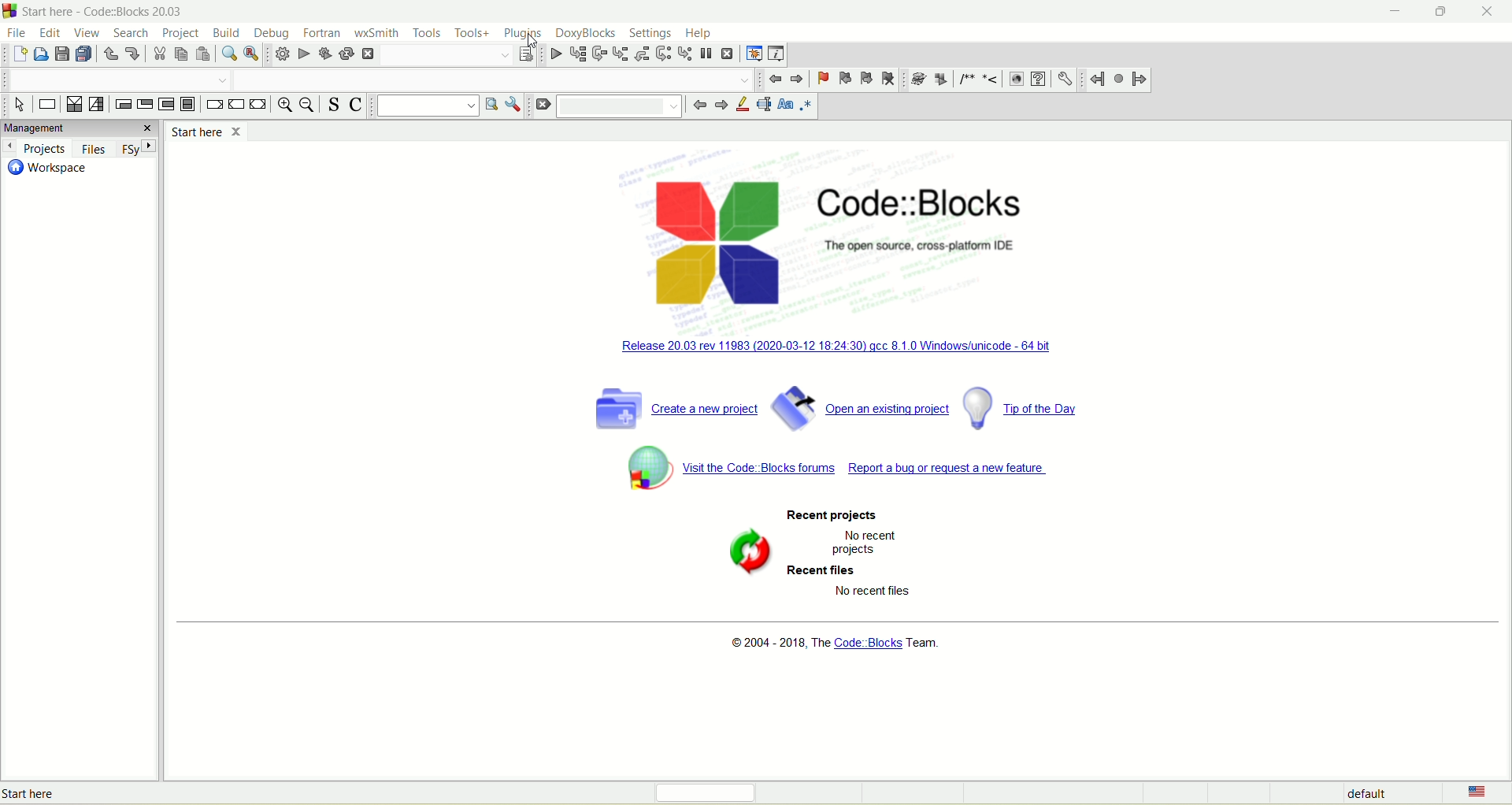 The height and width of the screenshot is (805, 1512). Describe the element at coordinates (19, 55) in the screenshot. I see `new` at that location.